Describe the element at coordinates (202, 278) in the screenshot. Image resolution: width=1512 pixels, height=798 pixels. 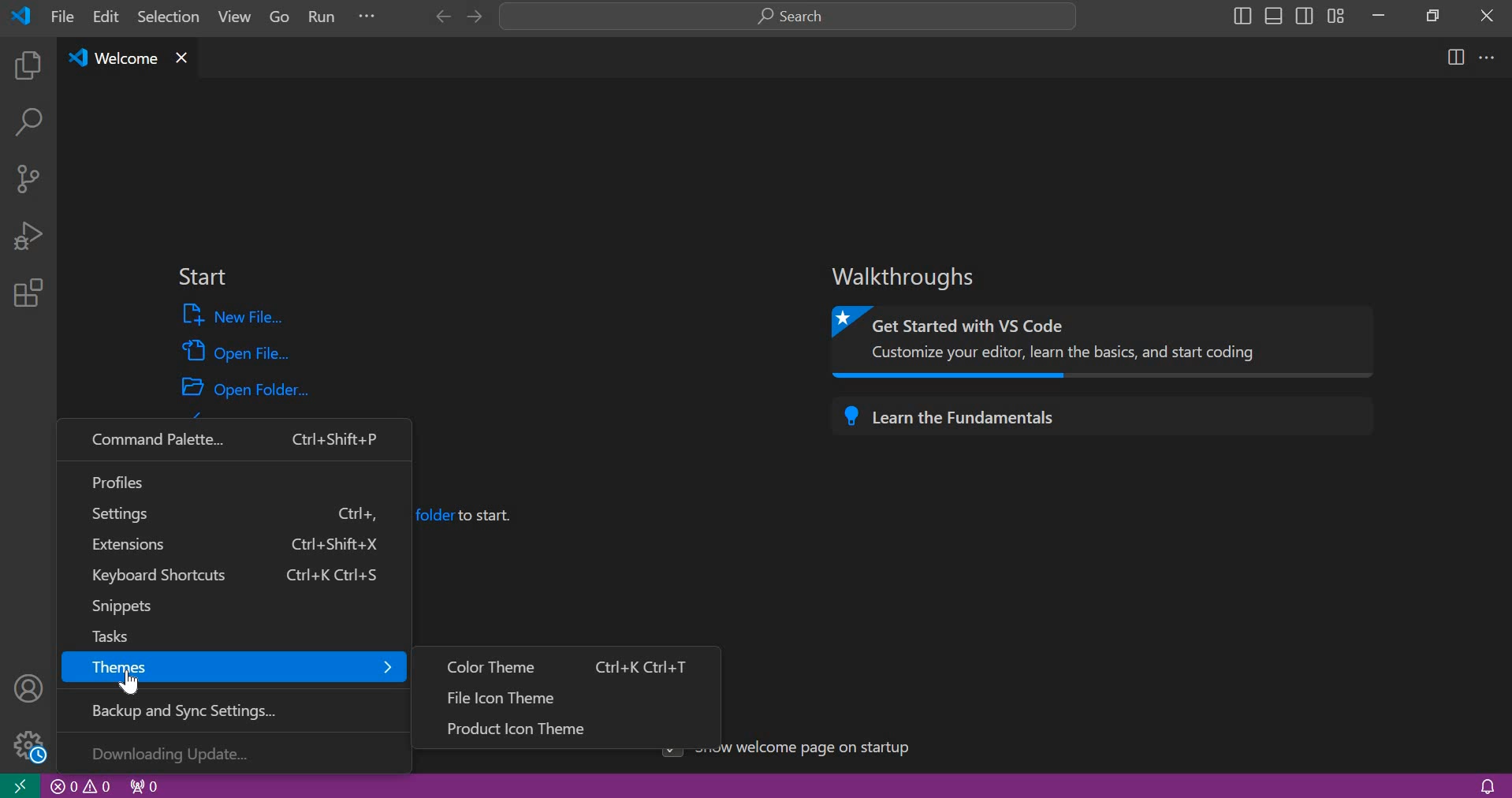
I see `start` at that location.